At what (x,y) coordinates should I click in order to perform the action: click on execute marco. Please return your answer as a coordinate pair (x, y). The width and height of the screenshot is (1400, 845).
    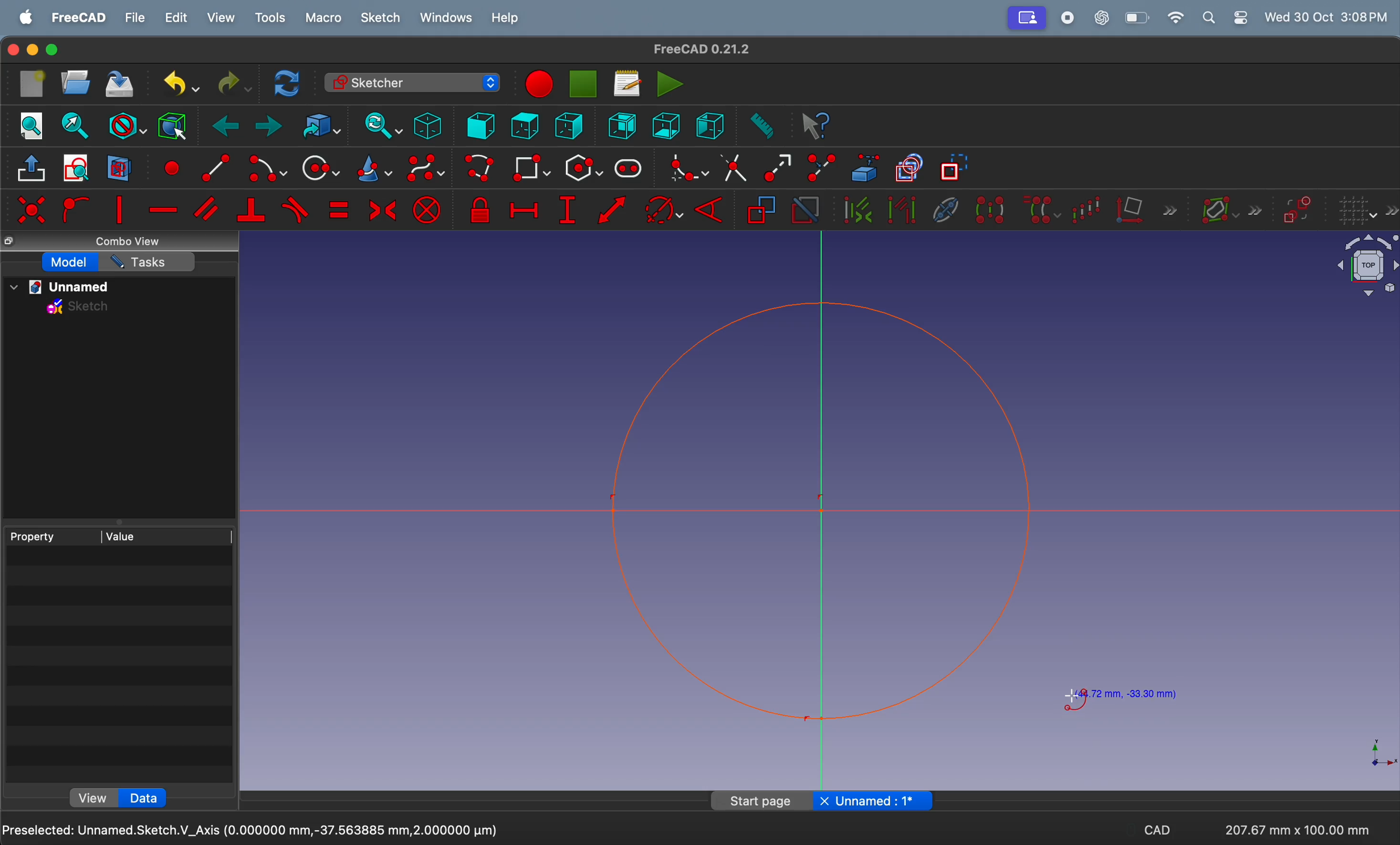
    Looking at the image, I should click on (670, 83).